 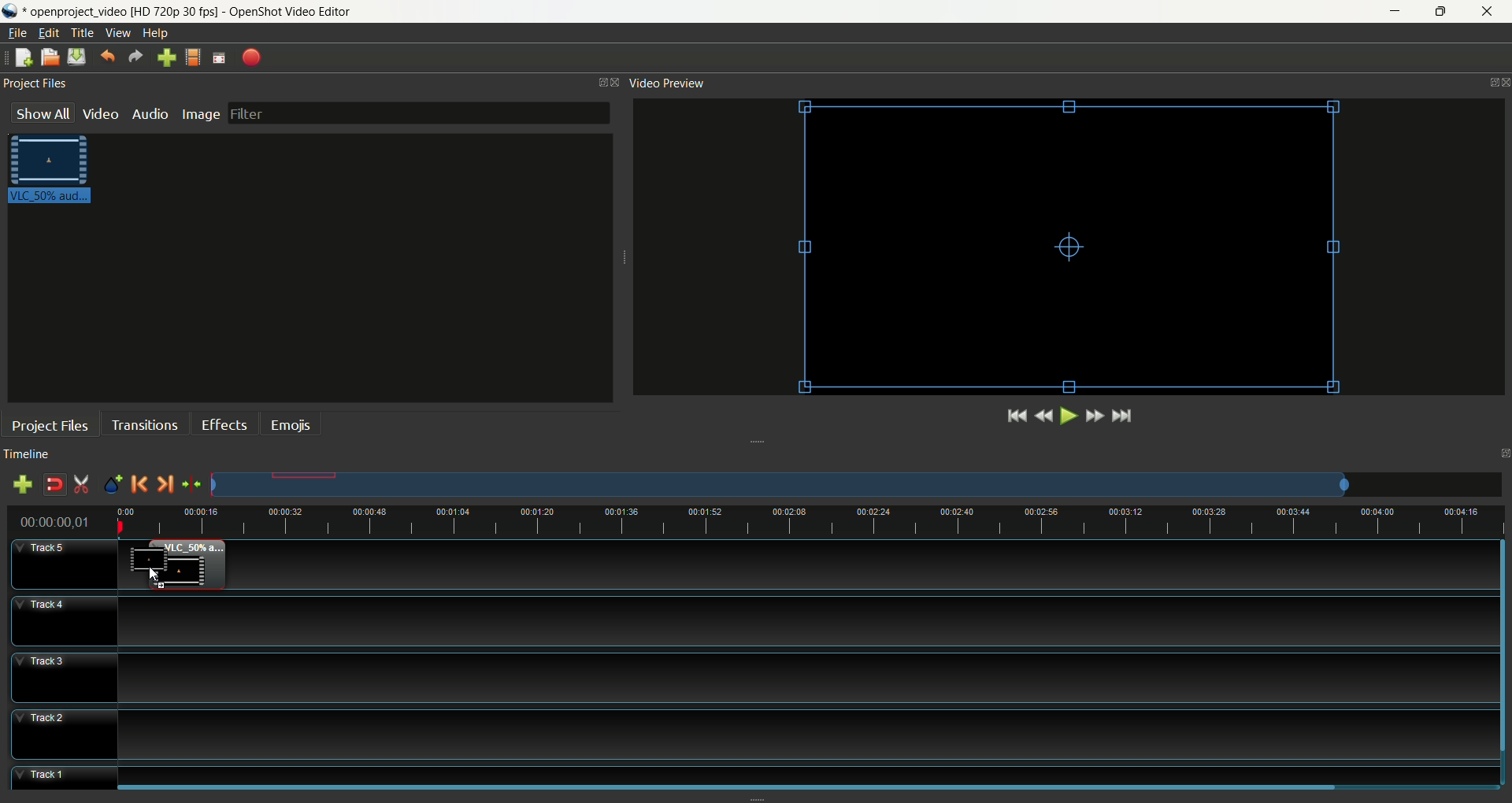 What do you see at coordinates (291, 424) in the screenshot?
I see `emojis` at bounding box center [291, 424].